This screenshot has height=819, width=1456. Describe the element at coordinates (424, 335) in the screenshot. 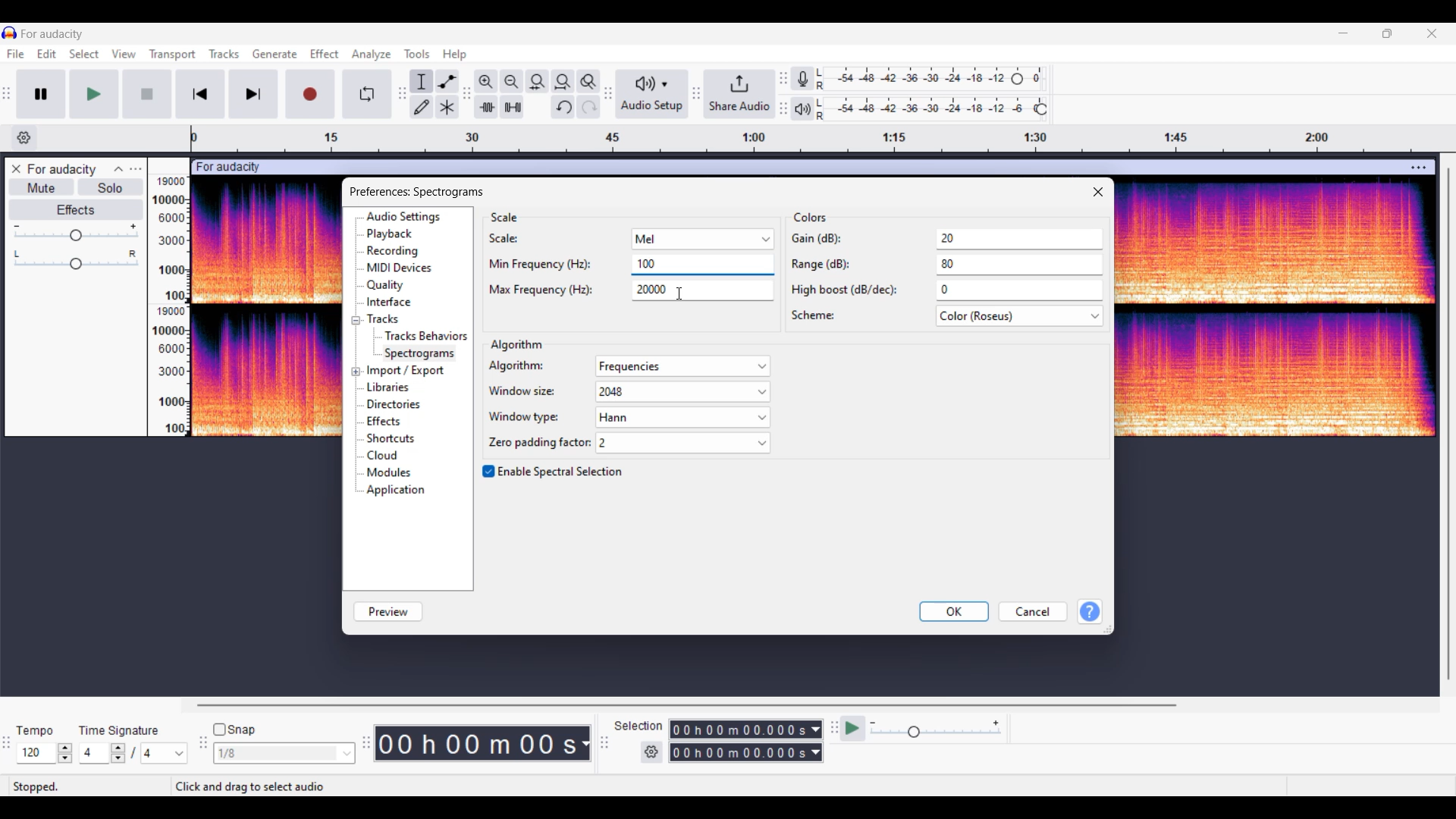

I see `tracks behaviors` at that location.